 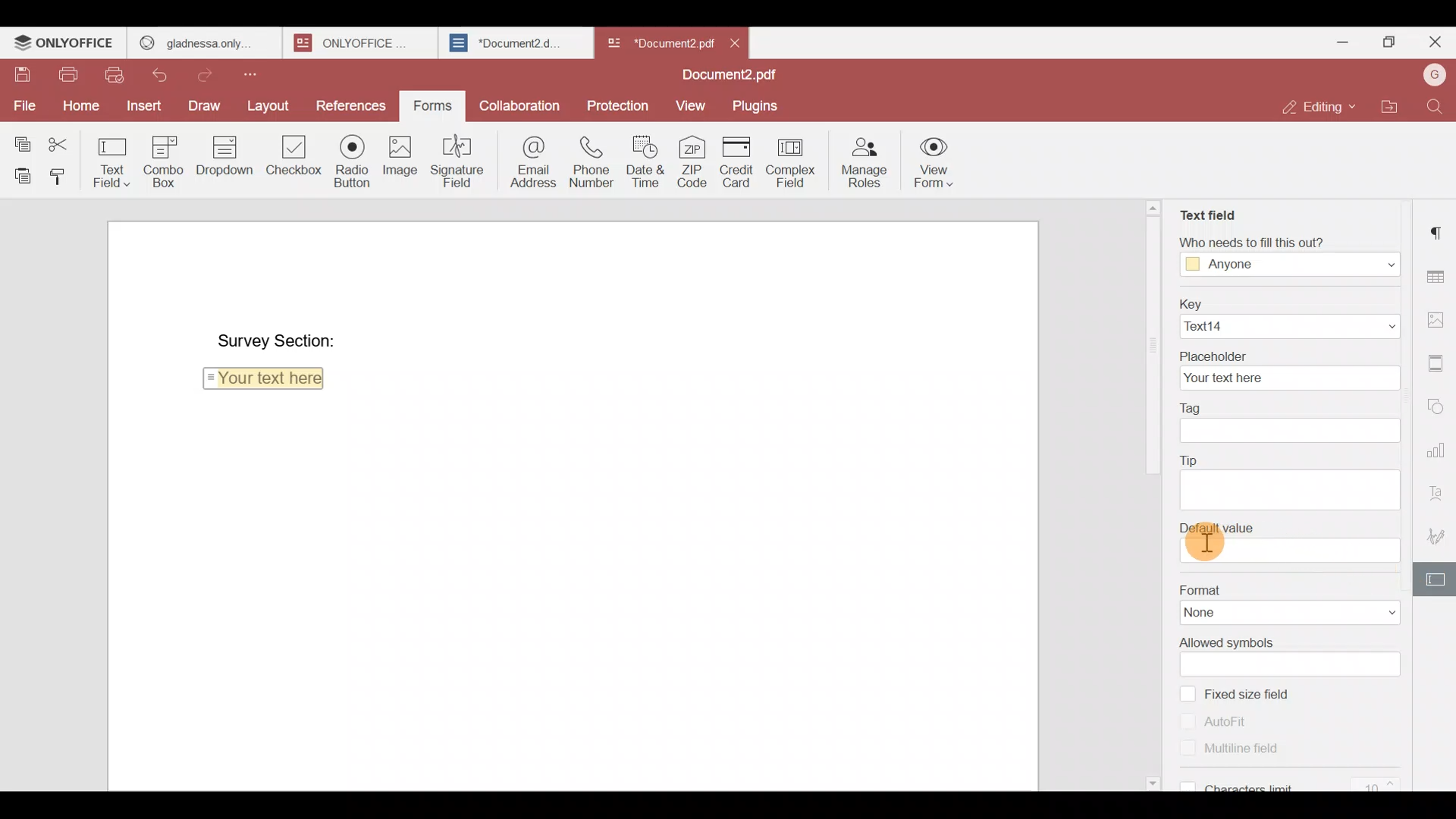 I want to click on Close, so click(x=736, y=42).